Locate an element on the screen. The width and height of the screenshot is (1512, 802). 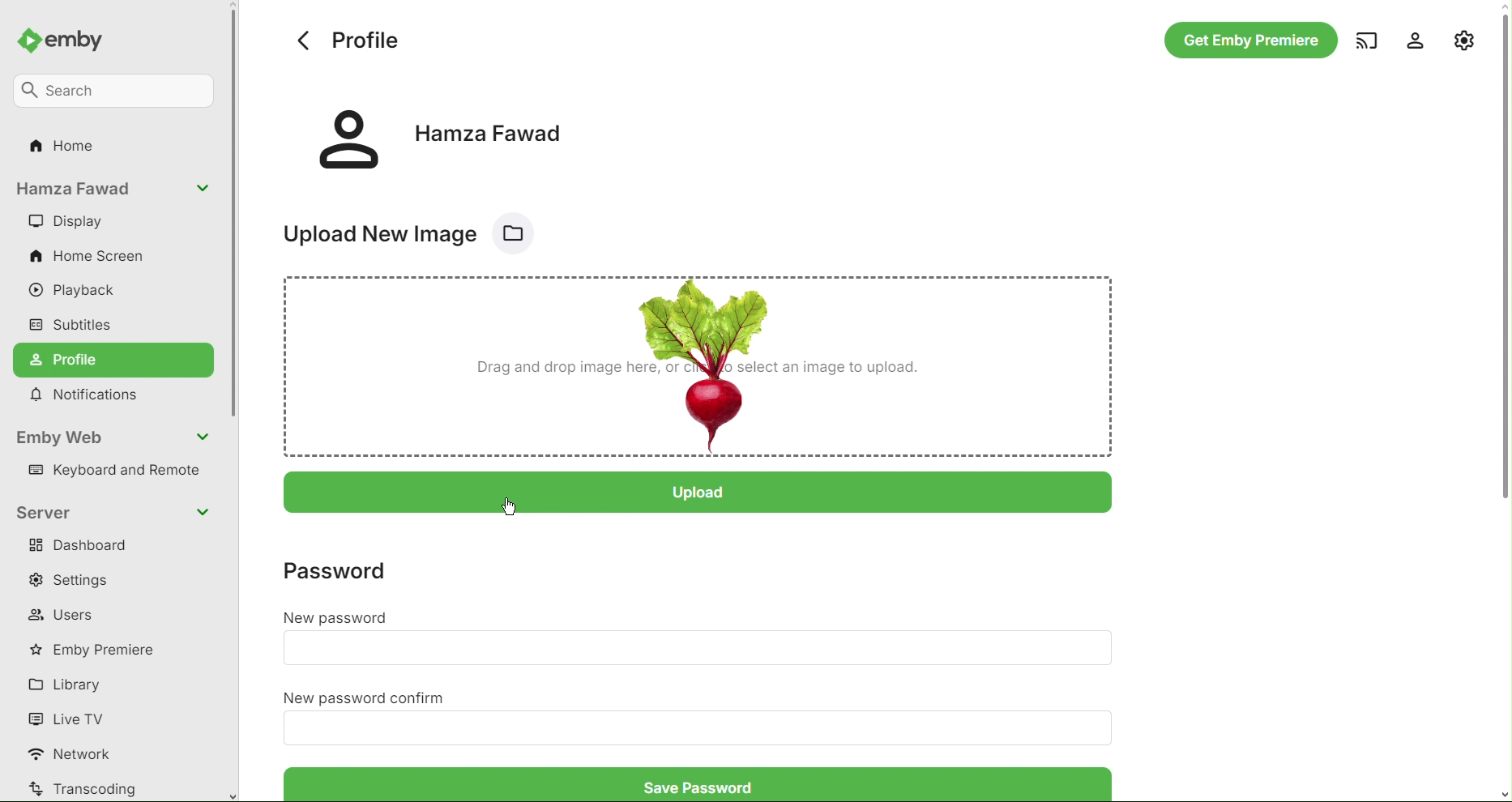
Password is located at coordinates (349, 568).